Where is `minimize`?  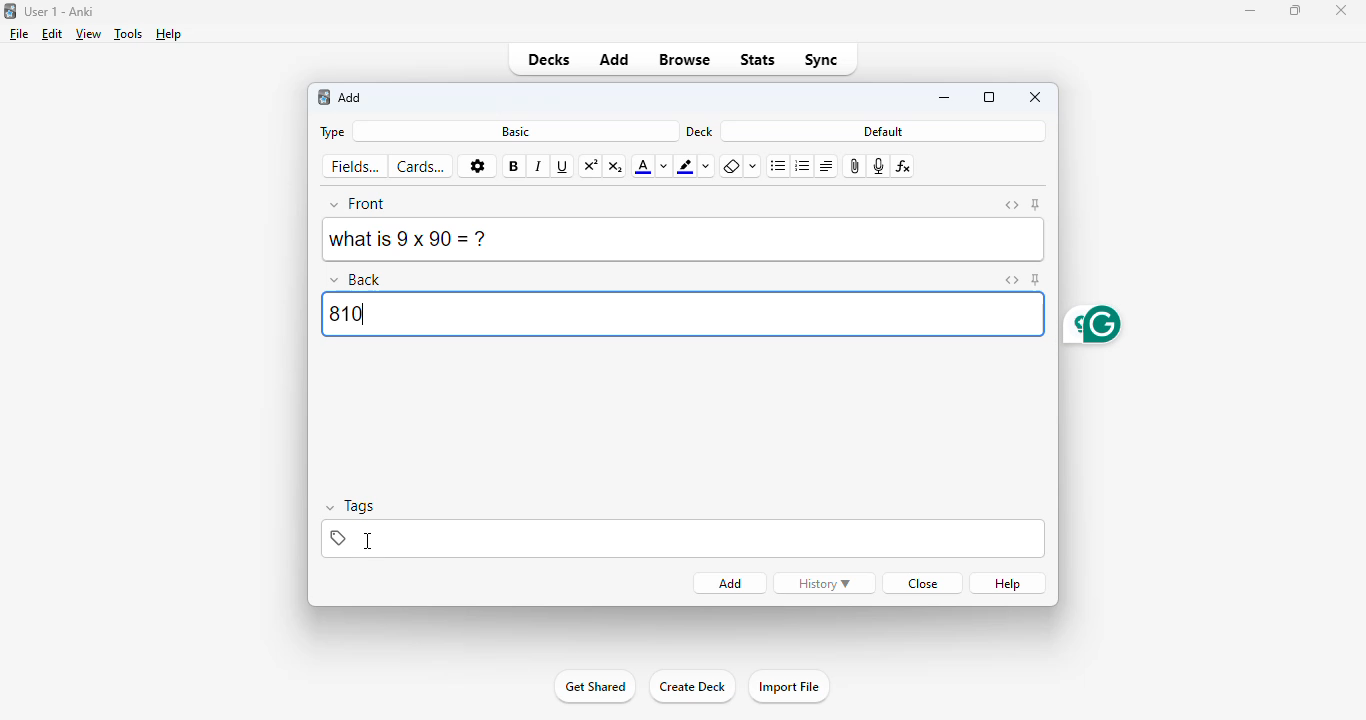 minimize is located at coordinates (1249, 11).